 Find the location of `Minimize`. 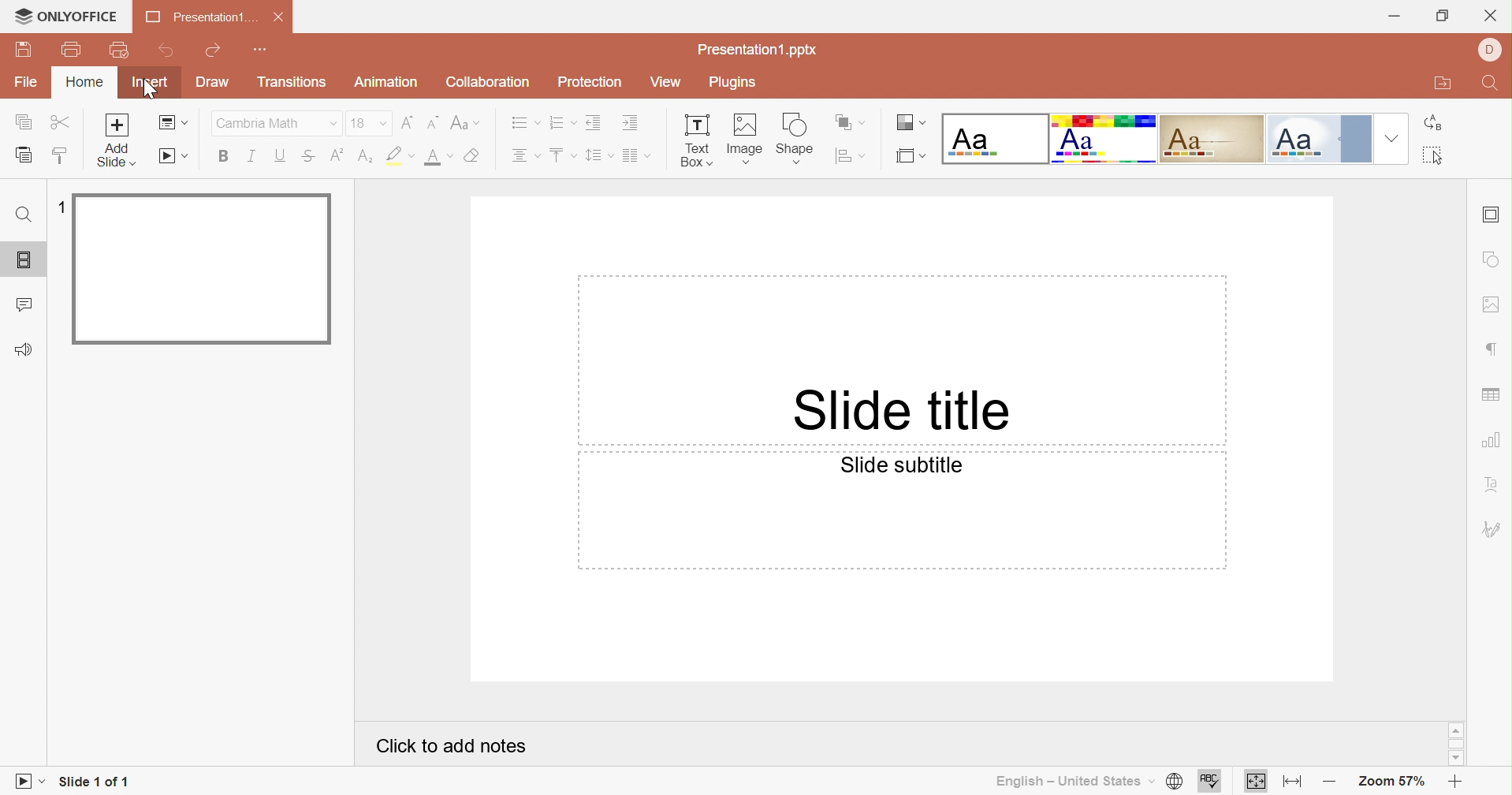

Minimize is located at coordinates (1395, 14).